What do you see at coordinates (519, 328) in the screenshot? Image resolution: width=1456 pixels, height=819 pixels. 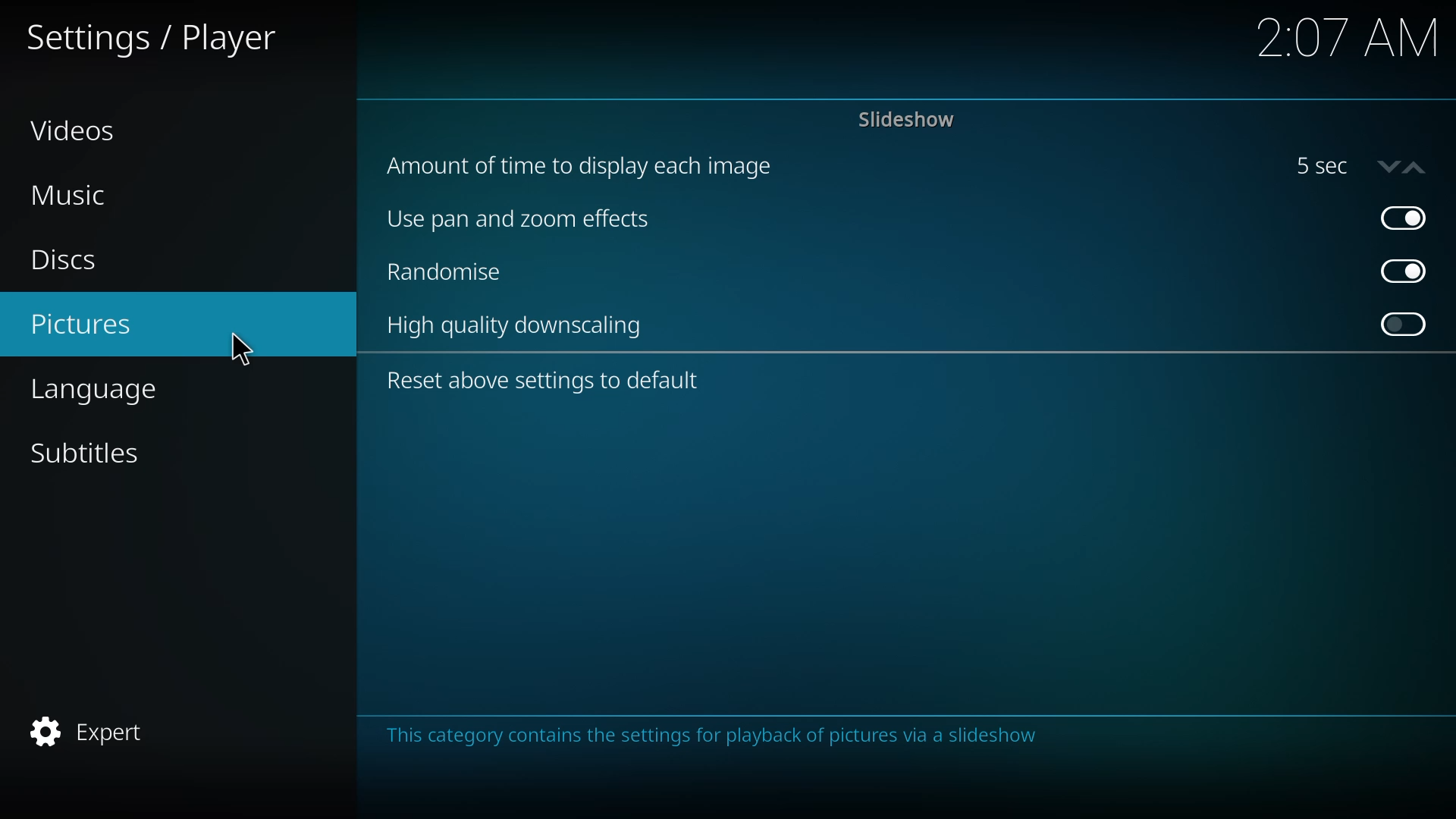 I see `high quality downscaling` at bounding box center [519, 328].